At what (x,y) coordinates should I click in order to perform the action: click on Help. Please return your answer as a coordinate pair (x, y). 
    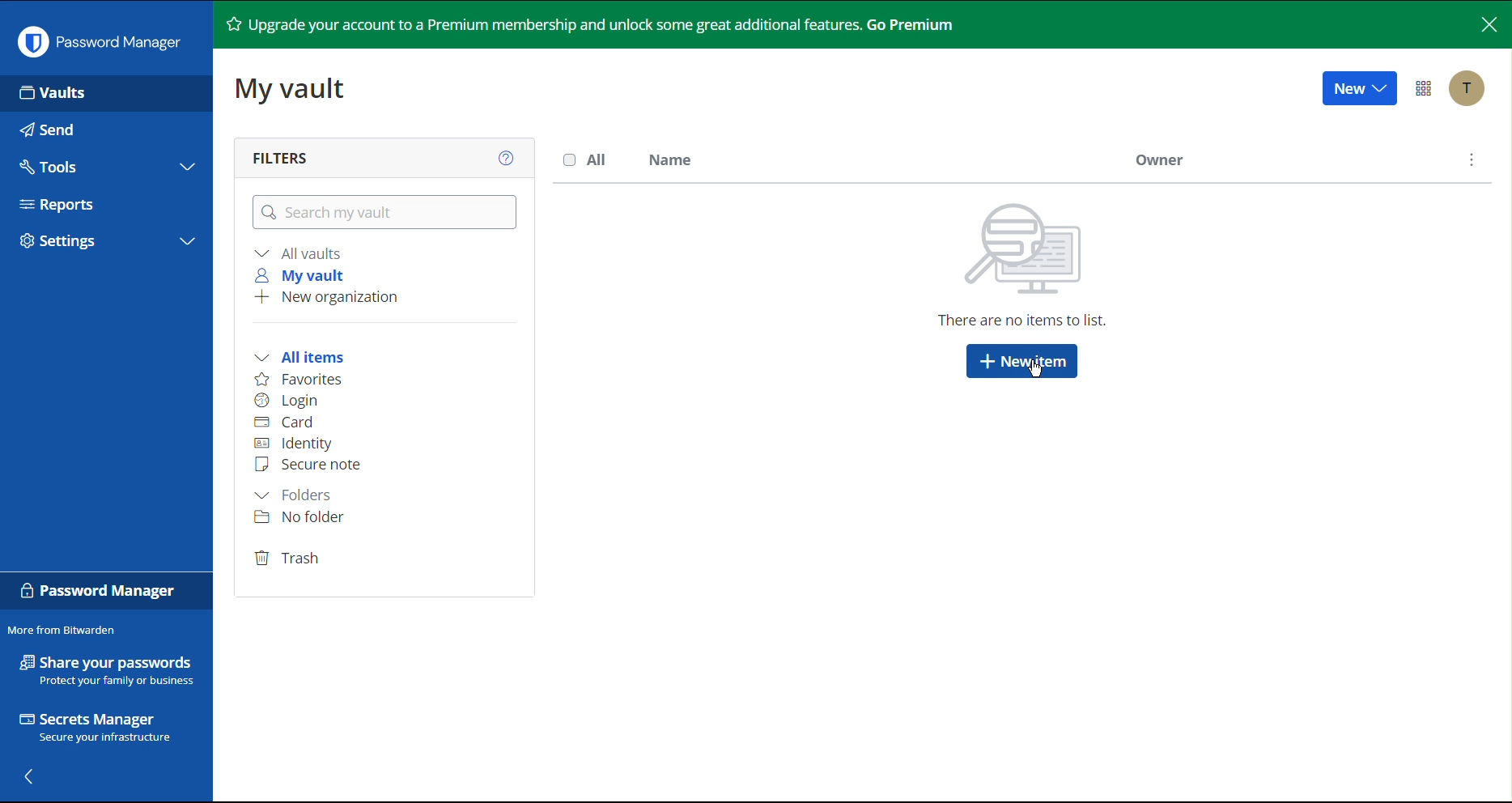
    Looking at the image, I should click on (505, 155).